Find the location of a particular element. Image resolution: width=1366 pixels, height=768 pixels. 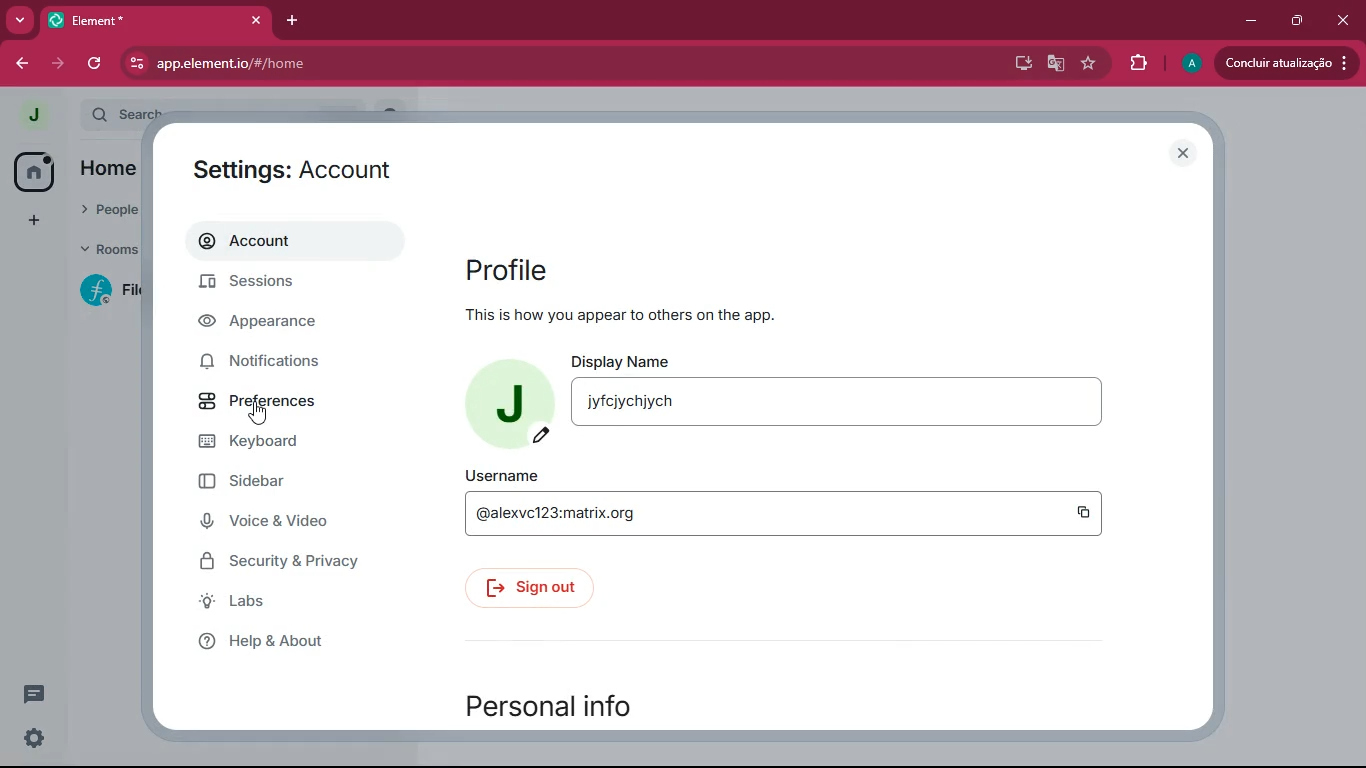

app.element.io/#/home is located at coordinates (365, 63).